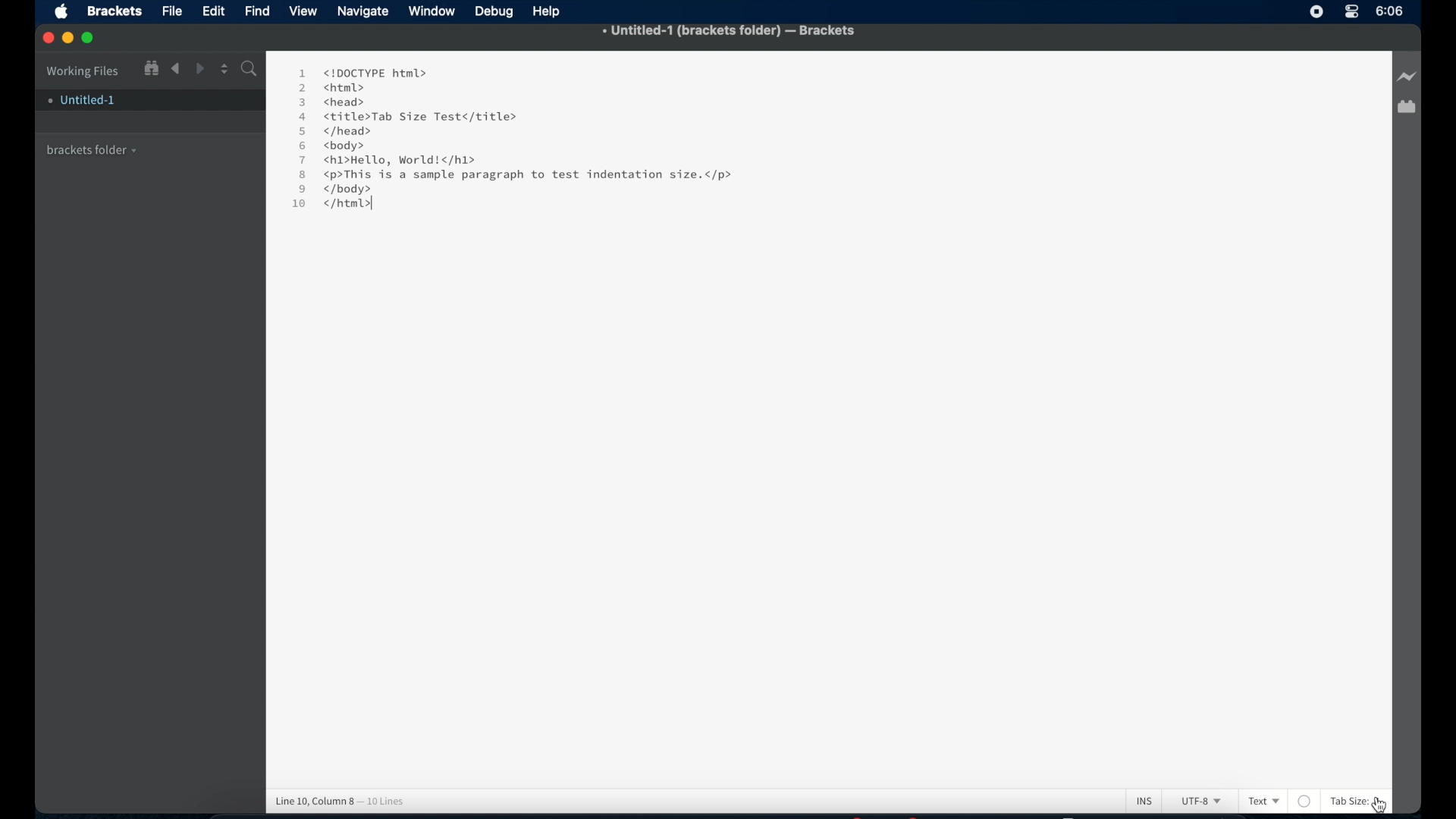  Describe the element at coordinates (334, 101) in the screenshot. I see `3 <head>` at that location.